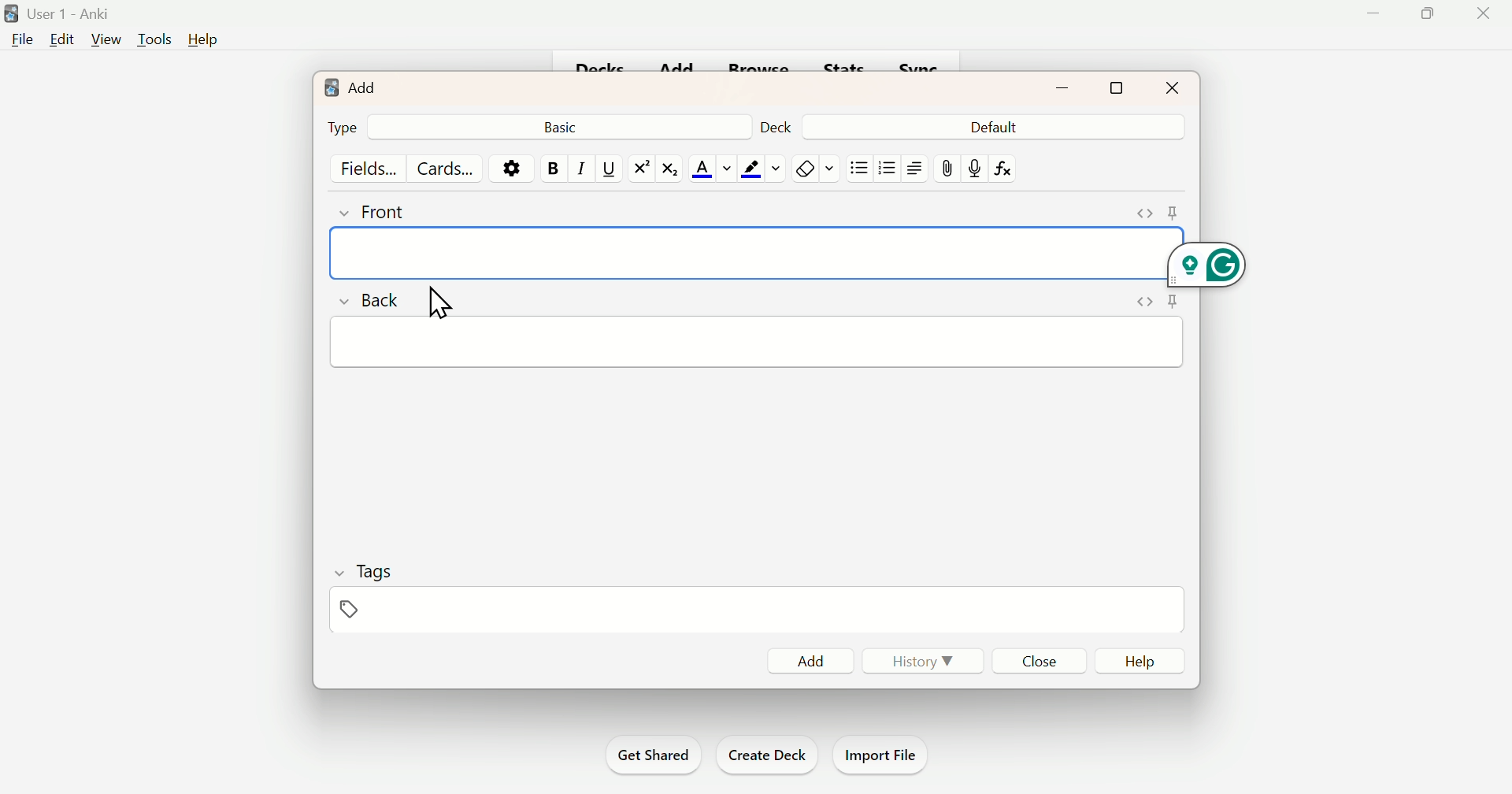 Image resolution: width=1512 pixels, height=794 pixels. Describe the element at coordinates (1432, 15) in the screenshot. I see `Maximize` at that location.